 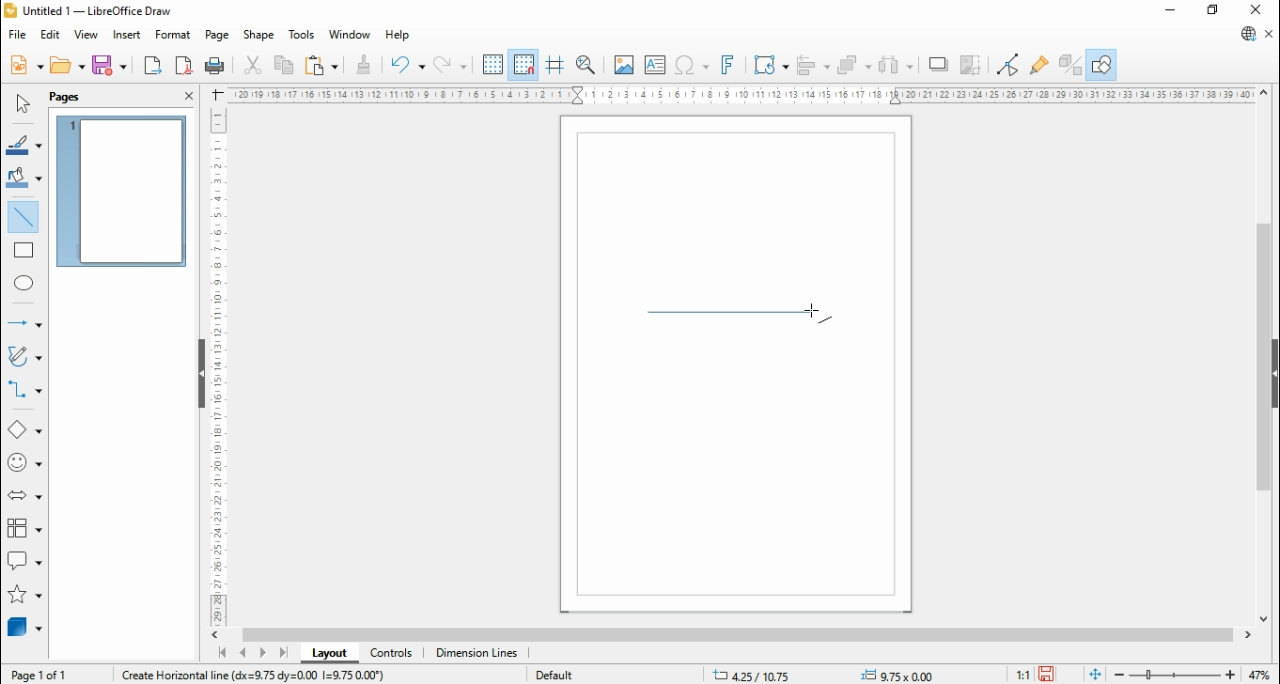 I want to click on insert fontwork text, so click(x=729, y=66).